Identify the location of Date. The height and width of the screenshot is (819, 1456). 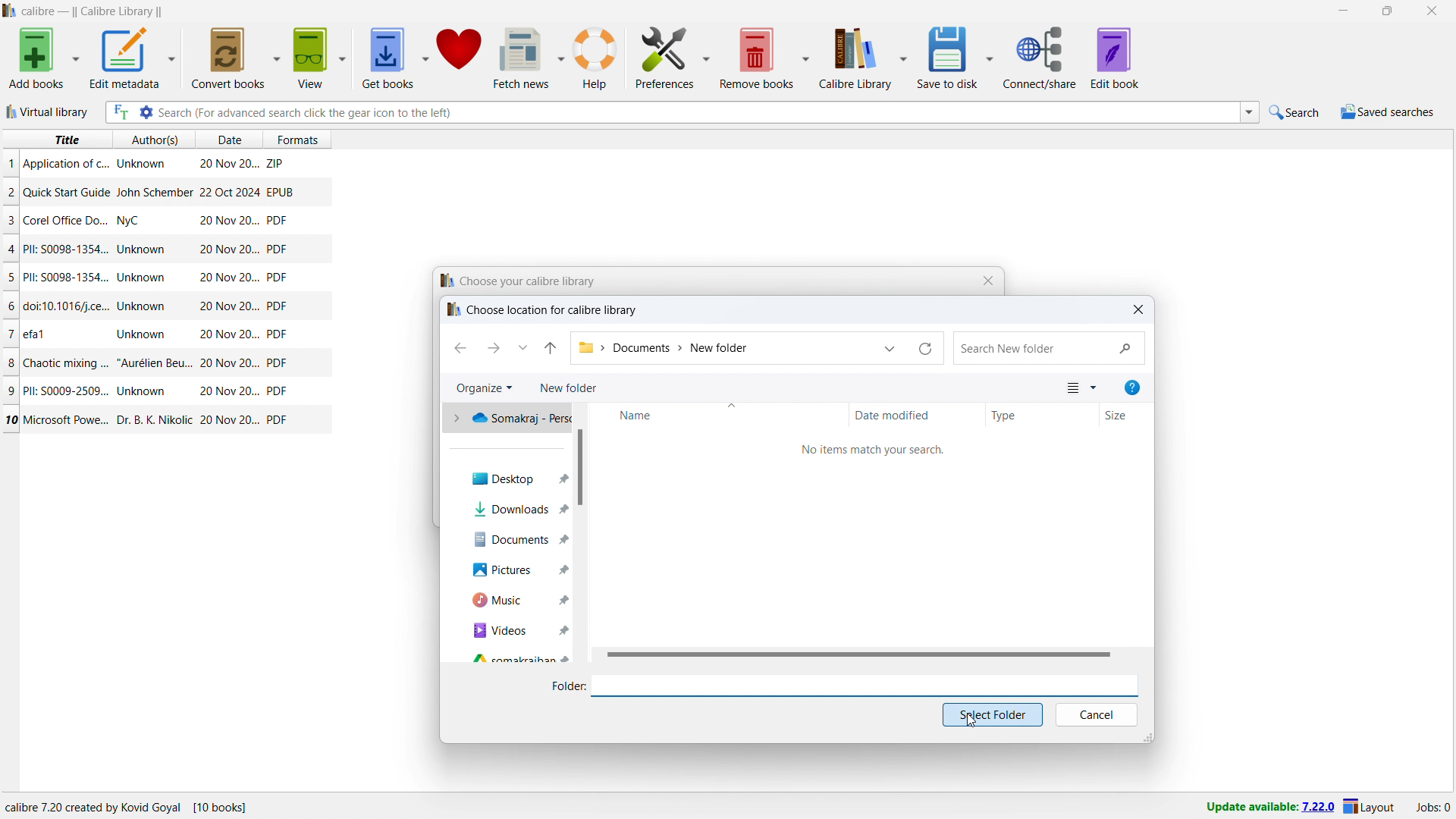
(229, 278).